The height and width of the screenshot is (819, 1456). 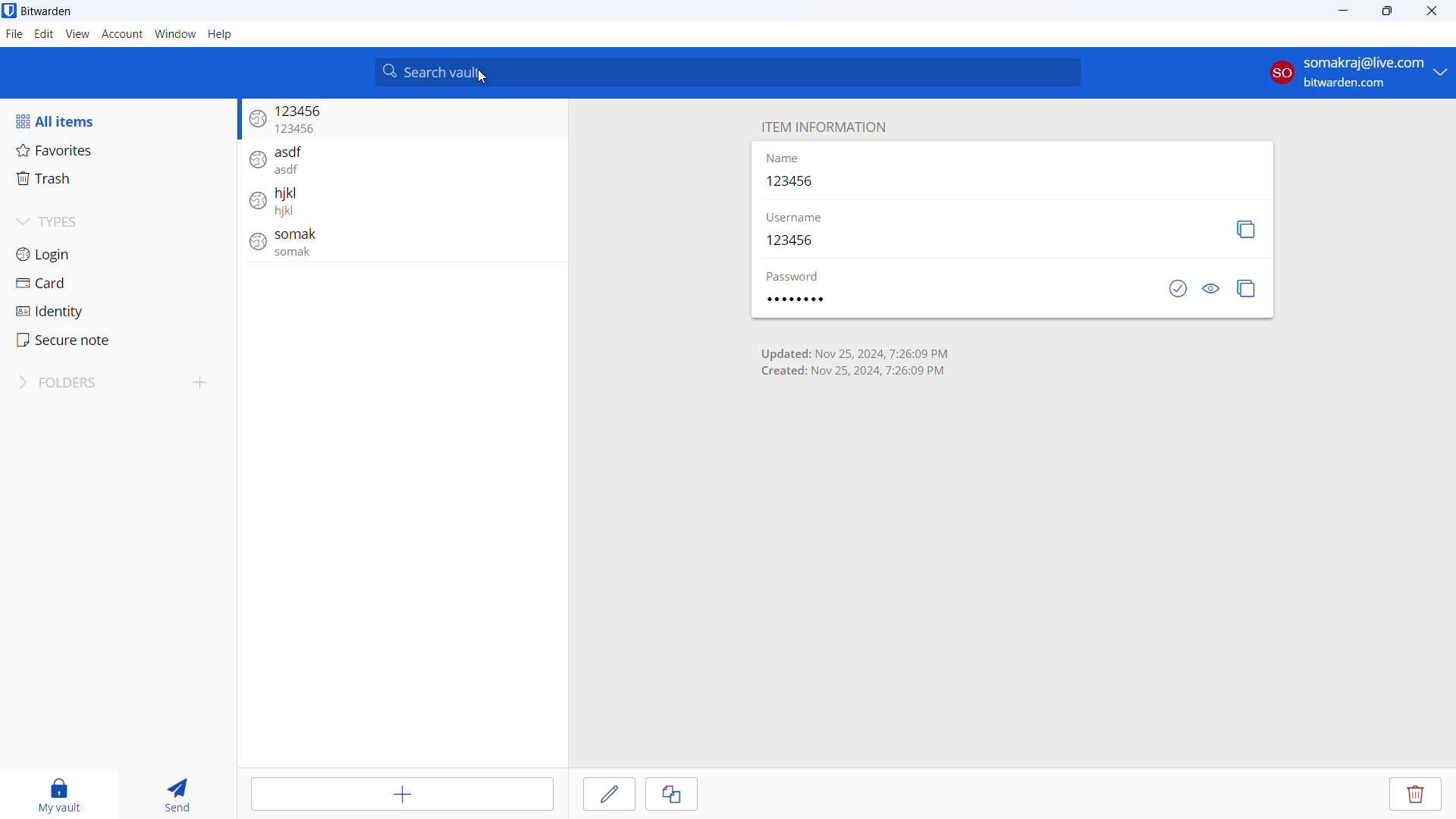 I want to click on name, so click(x=783, y=160).